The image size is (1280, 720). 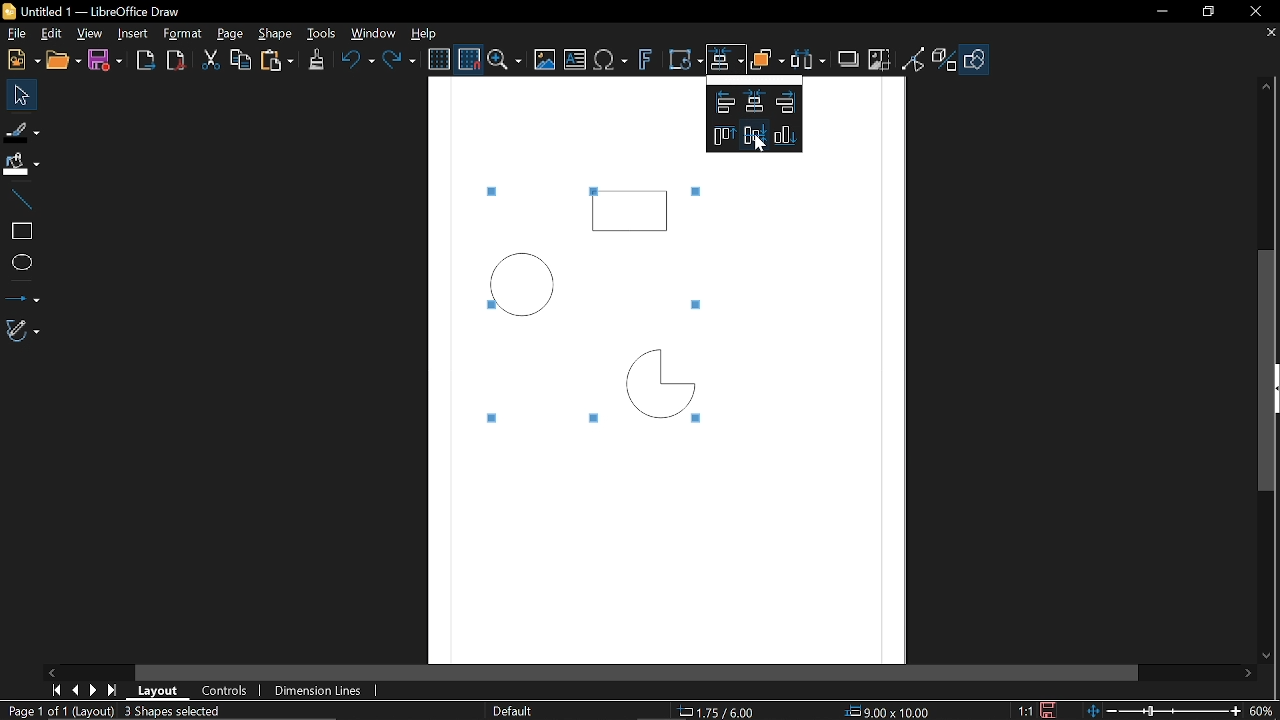 What do you see at coordinates (642, 62) in the screenshot?
I see `Insert fontwork` at bounding box center [642, 62].